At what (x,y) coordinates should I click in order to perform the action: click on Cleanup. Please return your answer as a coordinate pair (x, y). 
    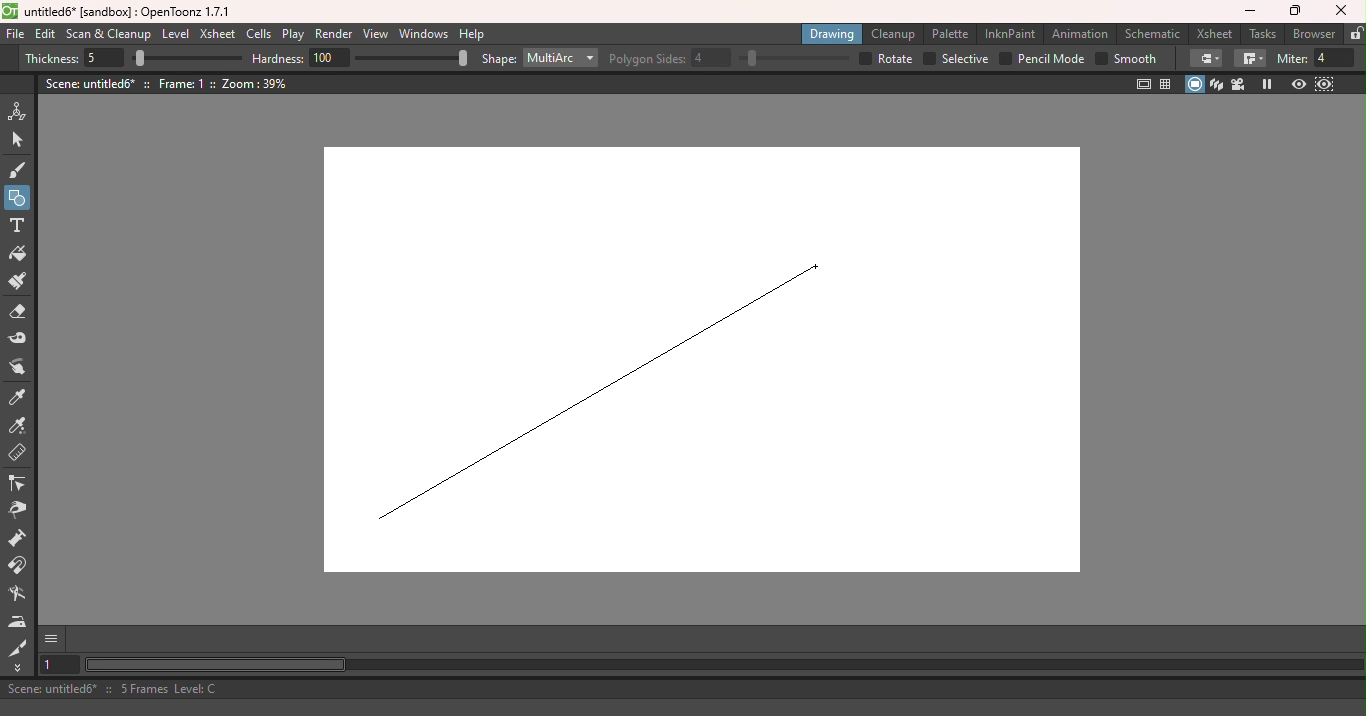
    Looking at the image, I should click on (892, 35).